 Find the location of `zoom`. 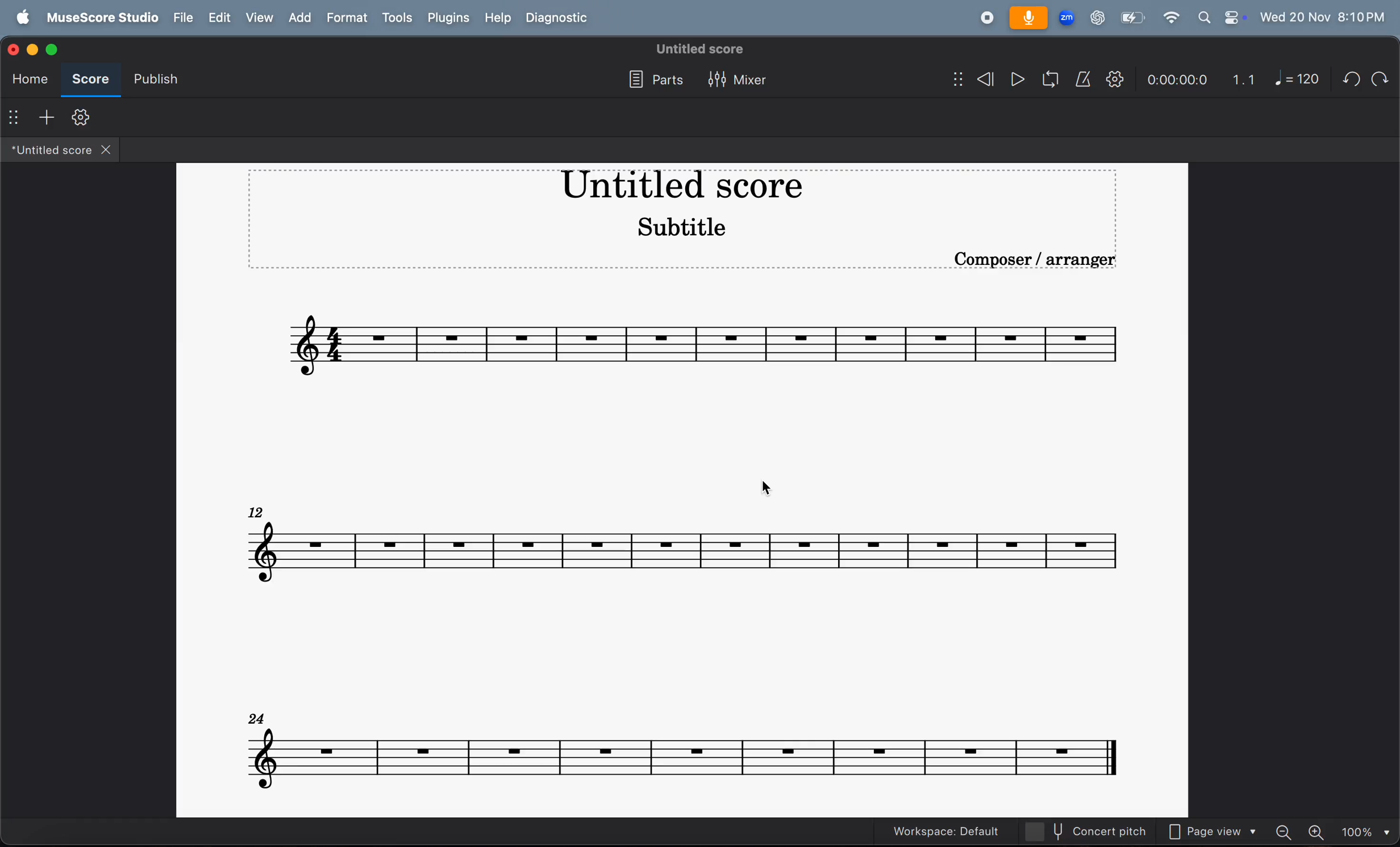

zoom is located at coordinates (1067, 17).